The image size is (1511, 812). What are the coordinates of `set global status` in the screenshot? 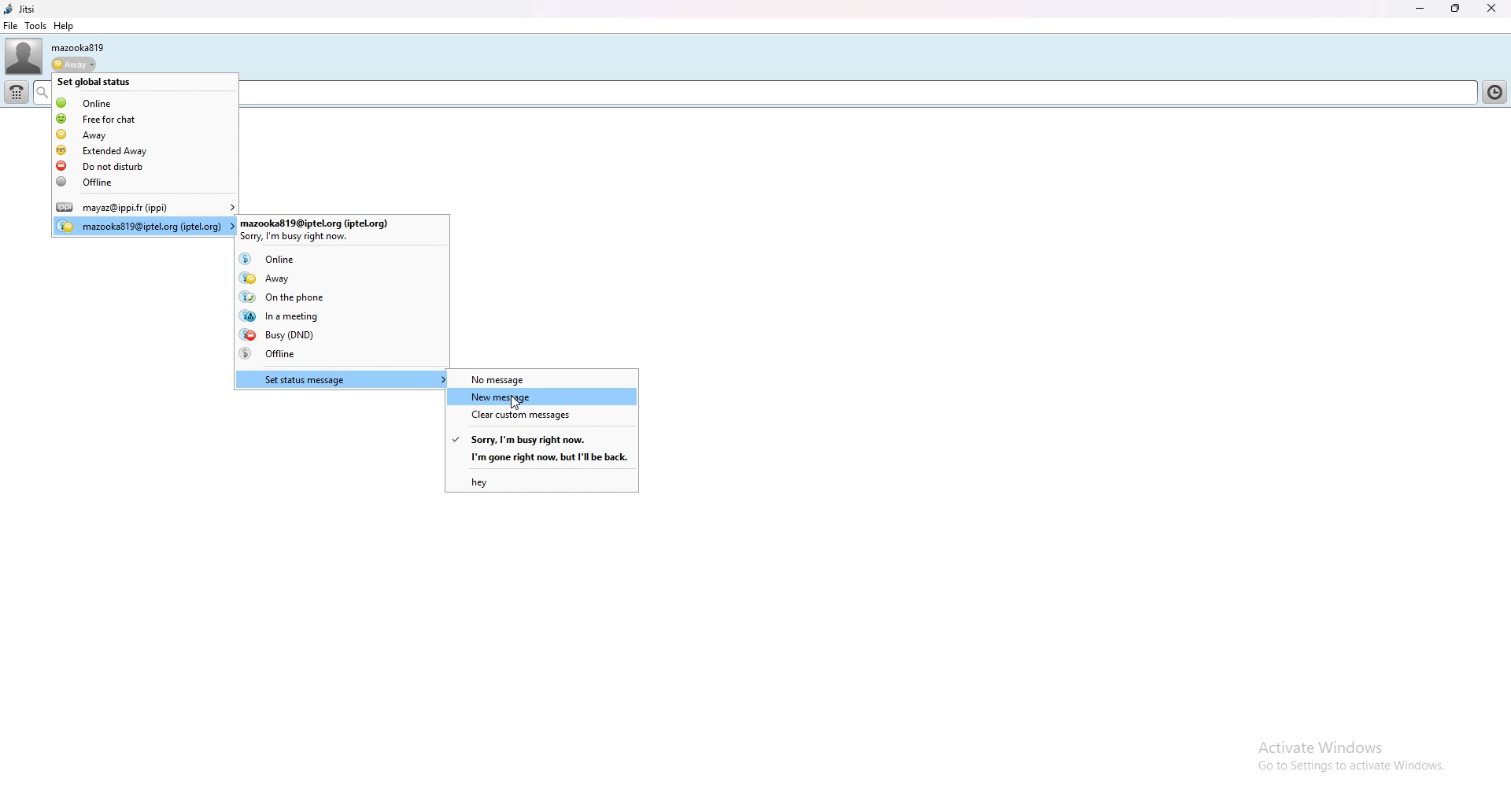 It's located at (145, 82).